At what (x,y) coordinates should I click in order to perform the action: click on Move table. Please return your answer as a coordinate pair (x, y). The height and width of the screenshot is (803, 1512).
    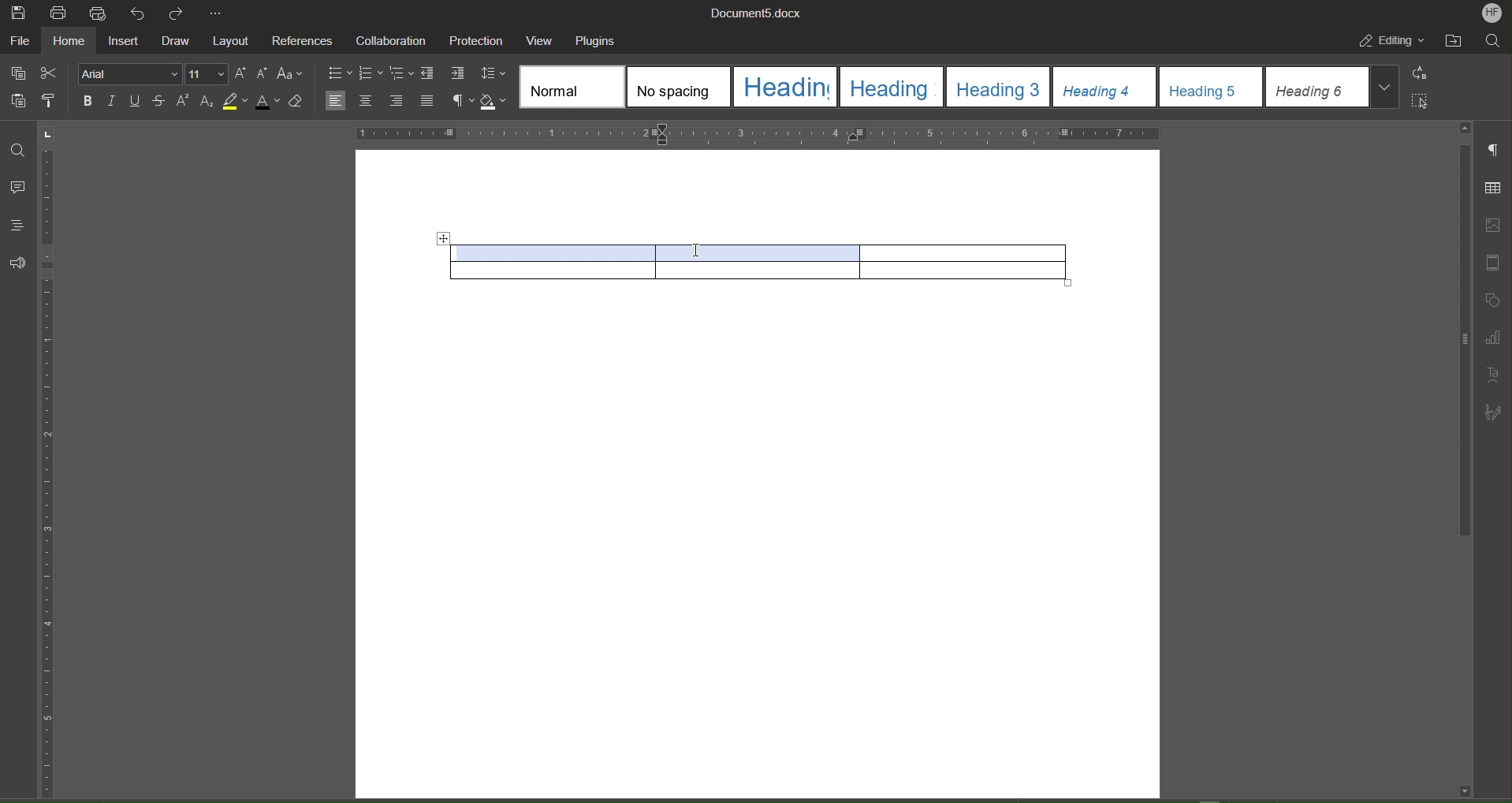
    Looking at the image, I should click on (442, 239).